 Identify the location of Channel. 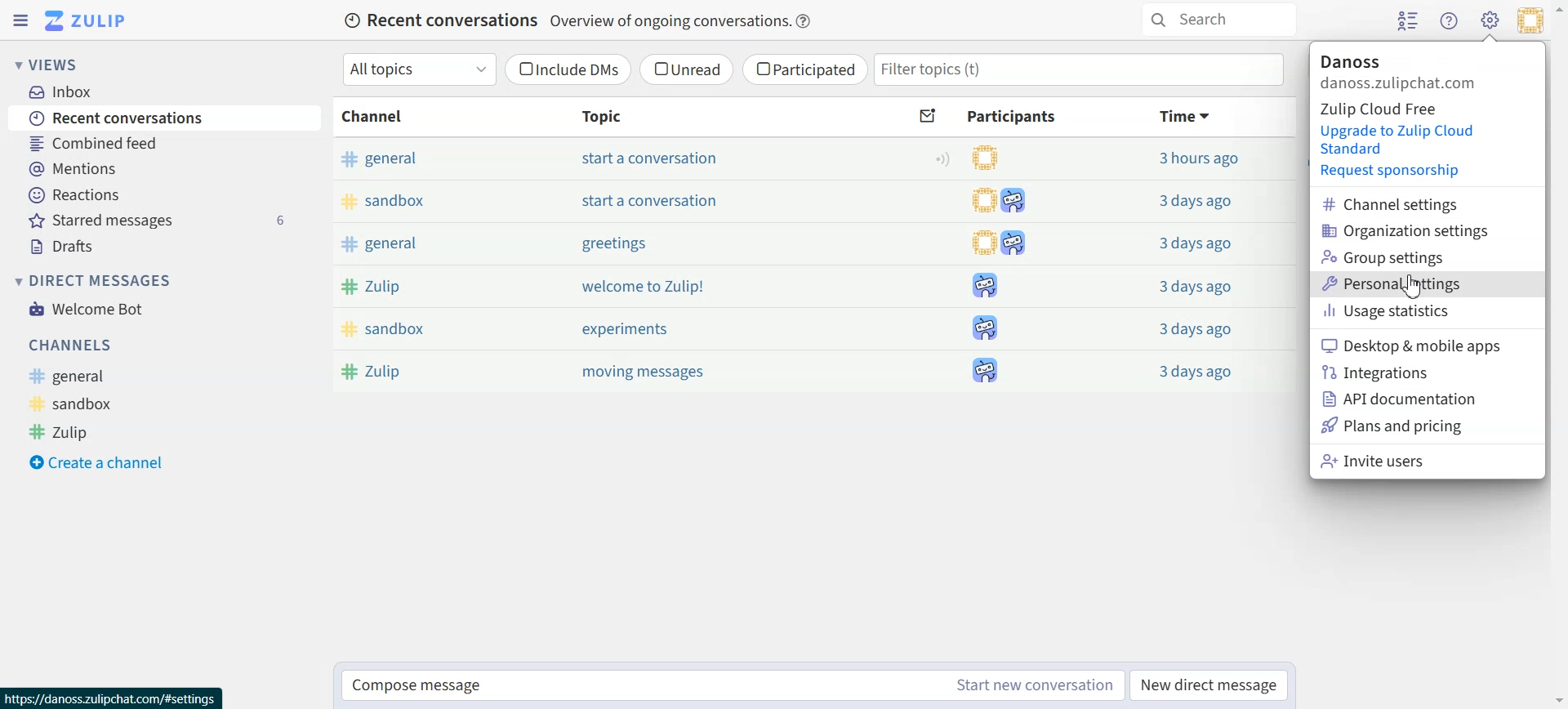
(380, 117).